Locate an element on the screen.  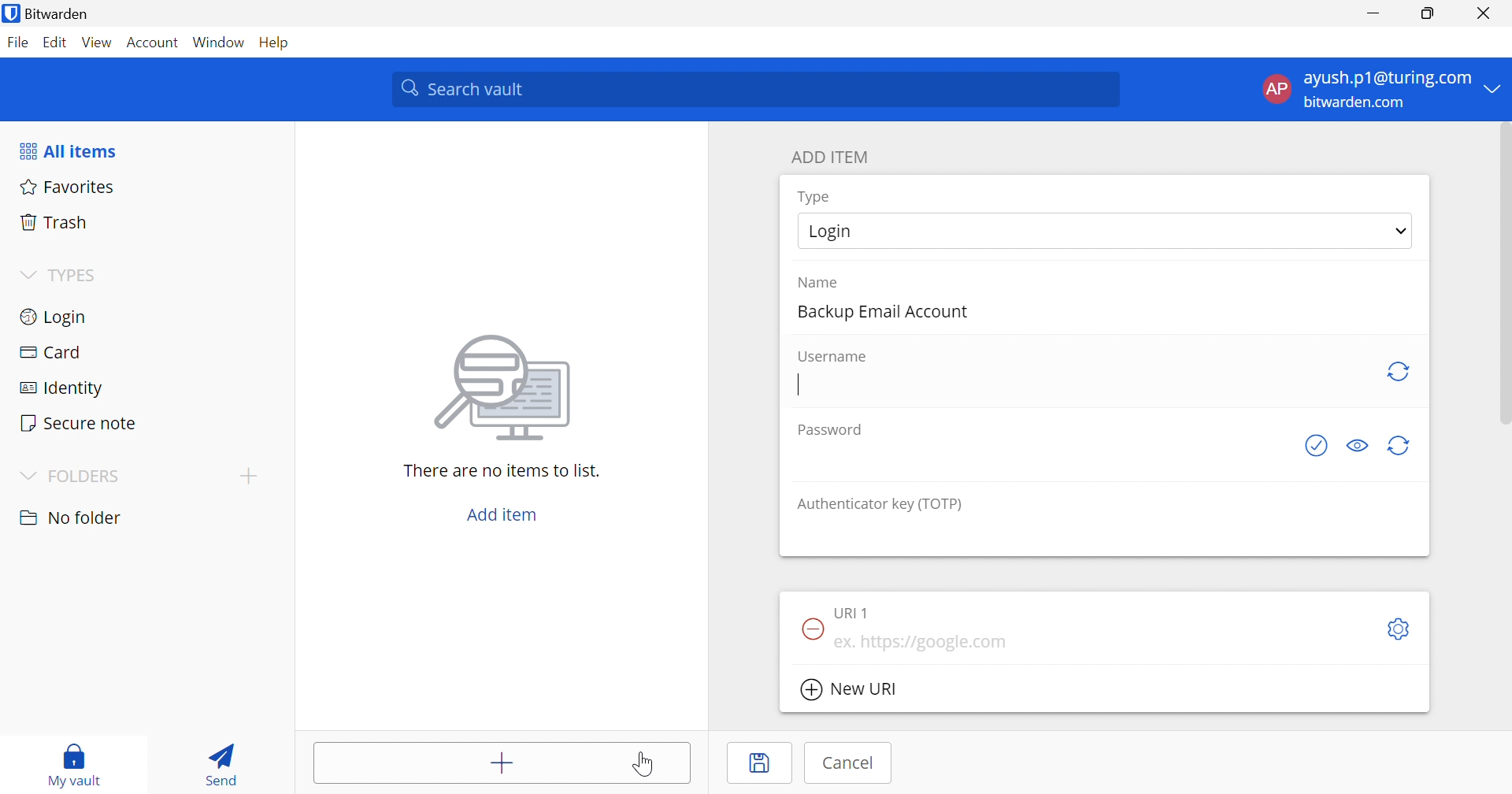
Add folder is located at coordinates (249, 477).